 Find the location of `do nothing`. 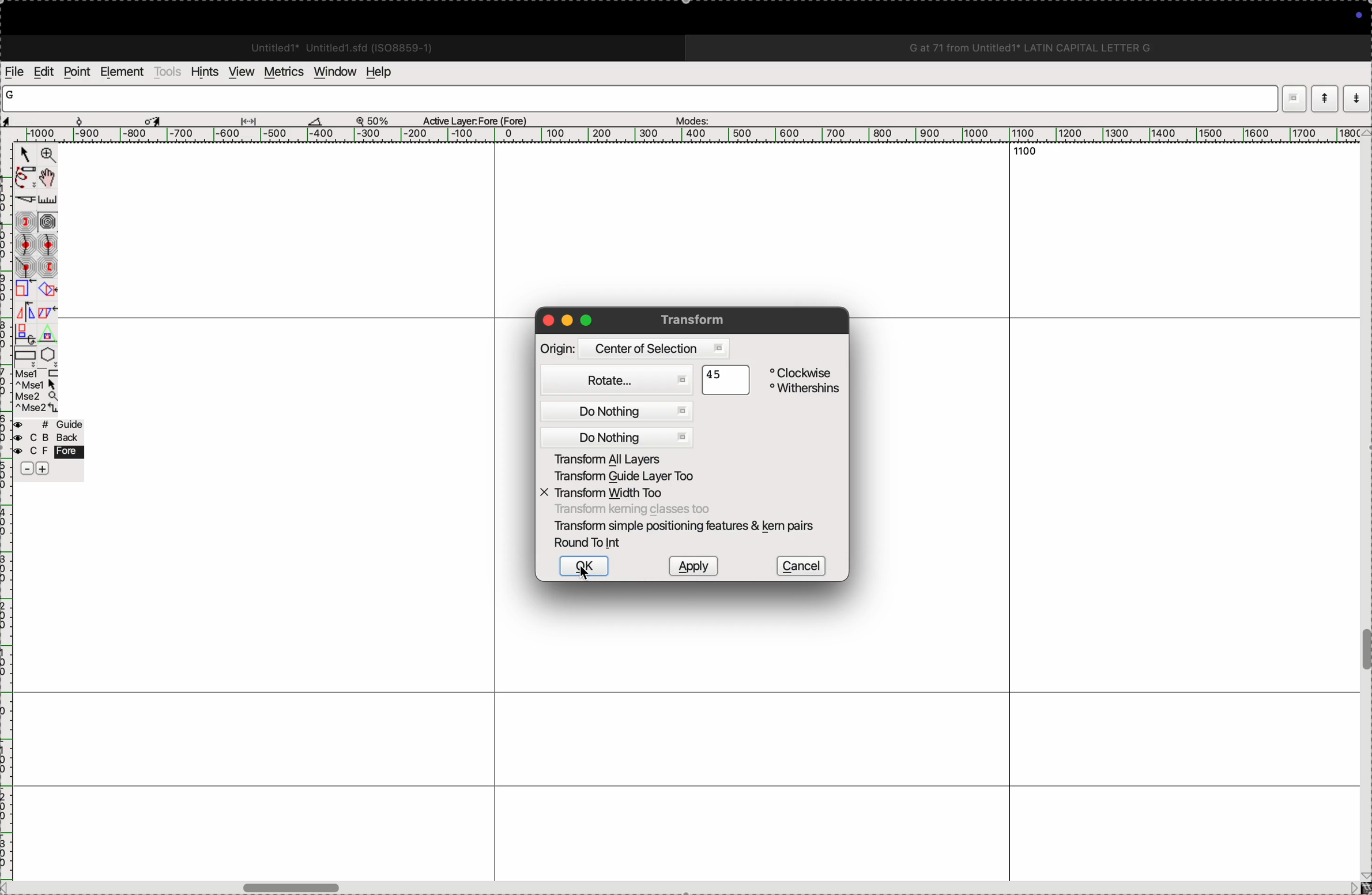

do nothing is located at coordinates (624, 411).